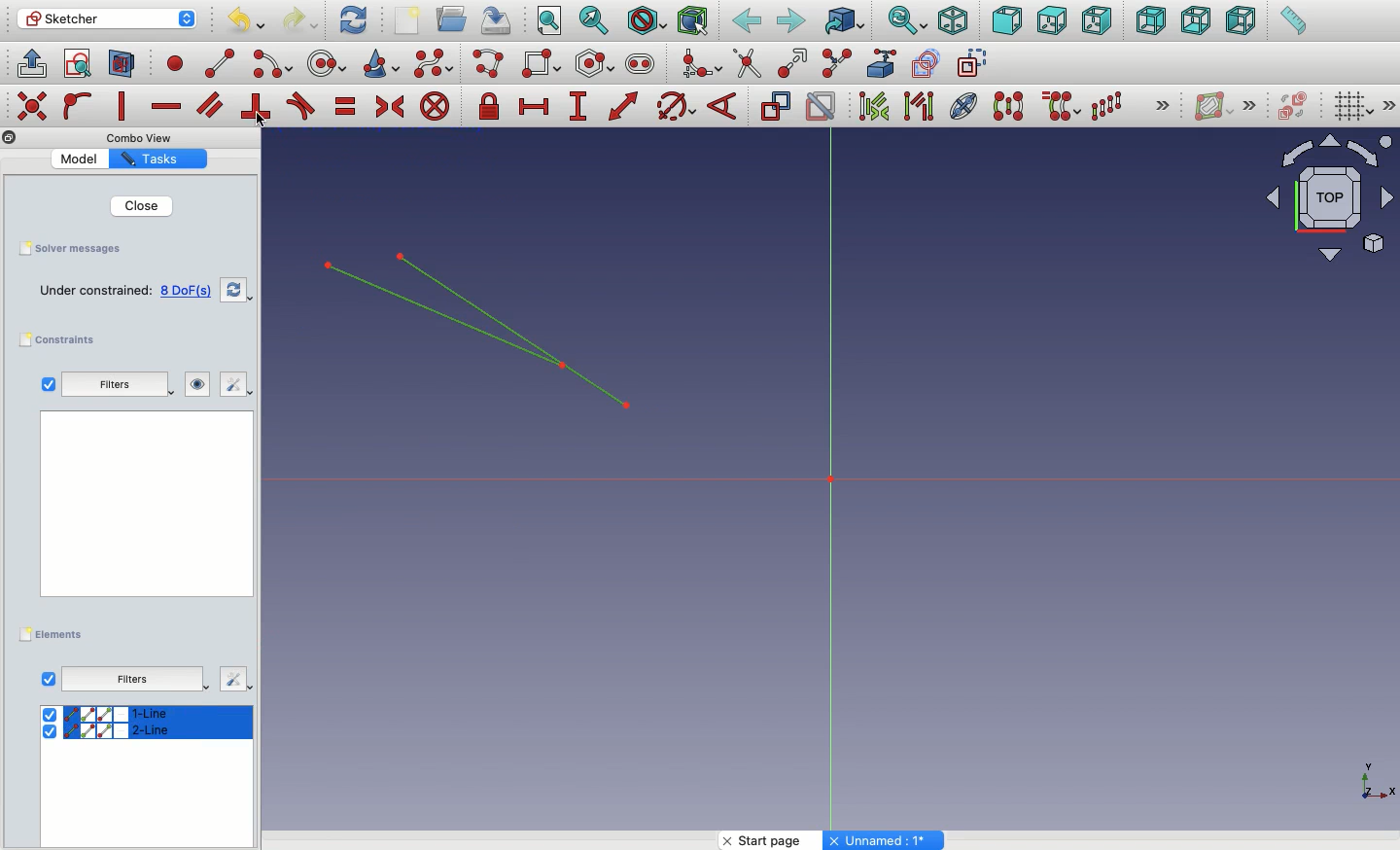  I want to click on , so click(1159, 104).